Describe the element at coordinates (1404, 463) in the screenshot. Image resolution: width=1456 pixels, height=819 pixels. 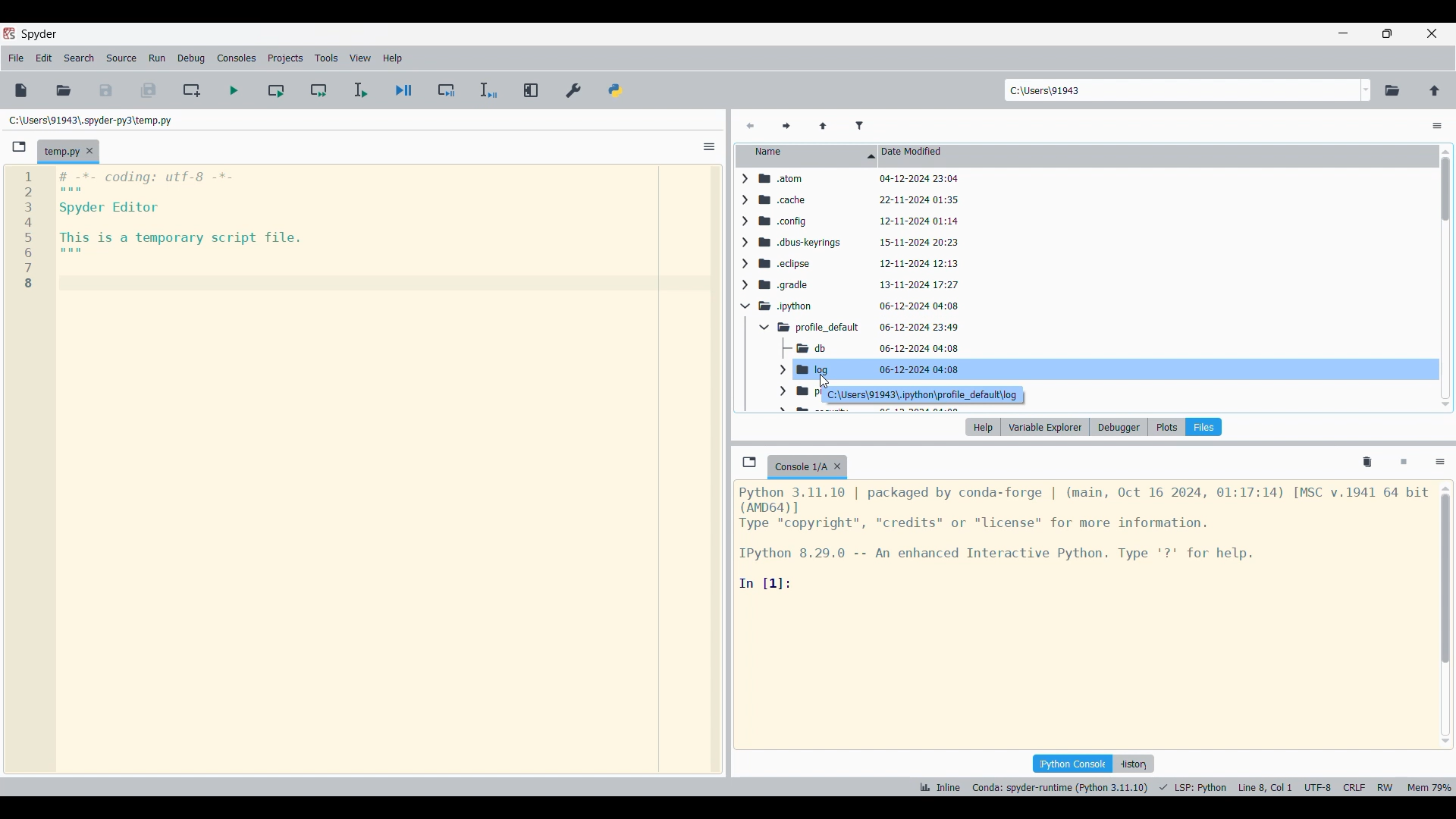
I see `Interrupt kernel` at that location.